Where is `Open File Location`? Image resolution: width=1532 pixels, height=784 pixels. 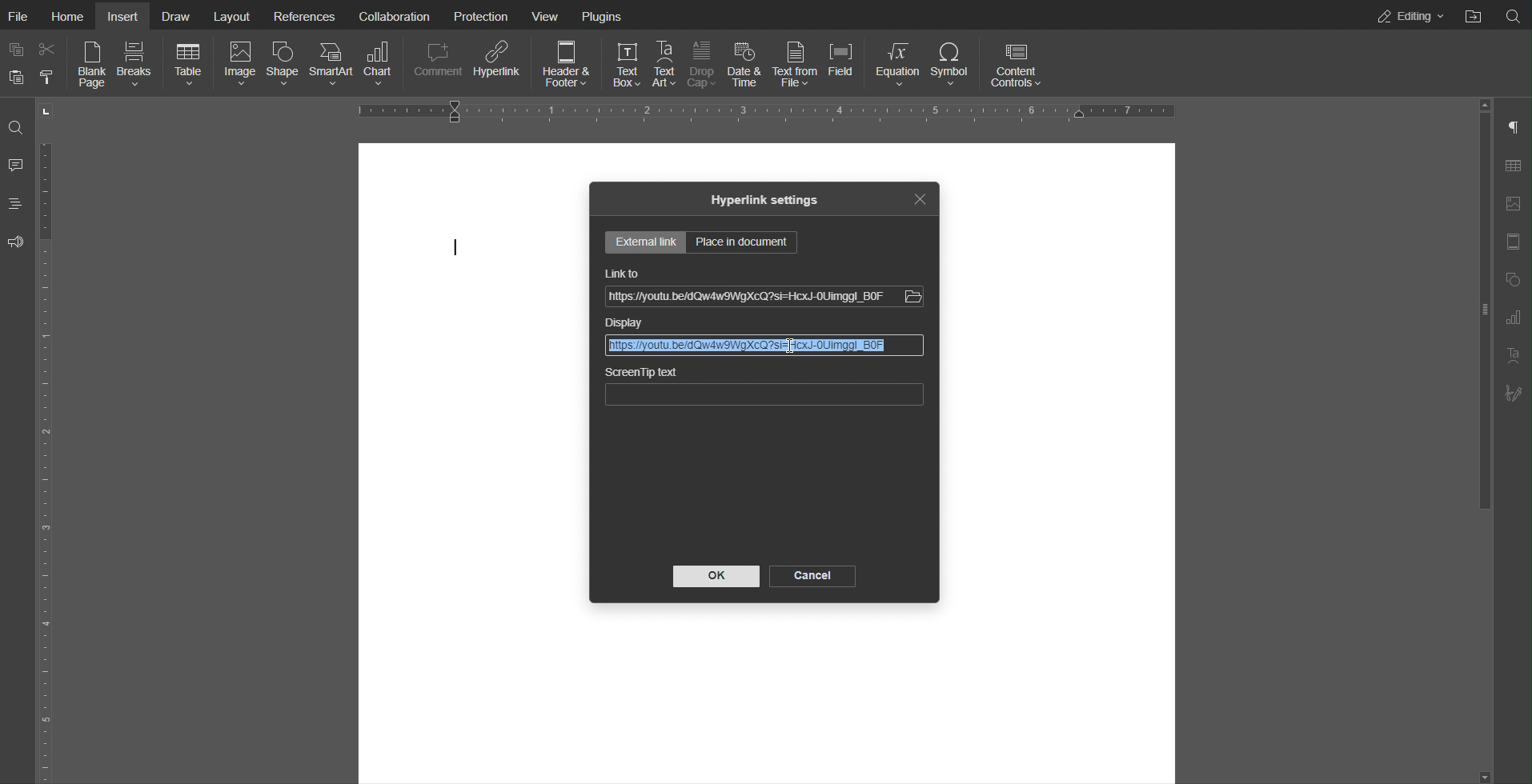
Open File Location is located at coordinates (1474, 15).